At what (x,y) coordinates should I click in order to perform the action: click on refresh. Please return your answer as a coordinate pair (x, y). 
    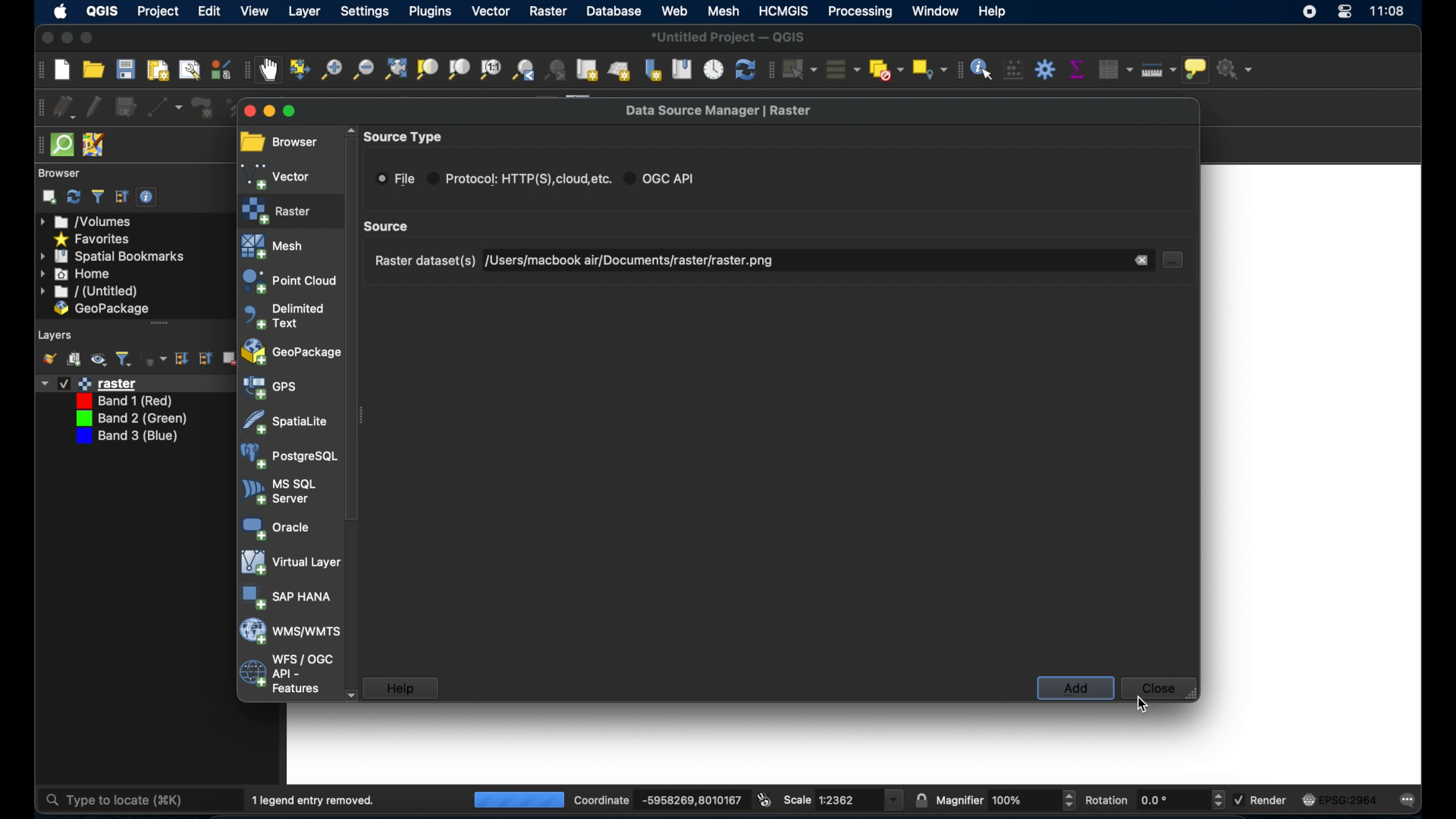
    Looking at the image, I should click on (745, 71).